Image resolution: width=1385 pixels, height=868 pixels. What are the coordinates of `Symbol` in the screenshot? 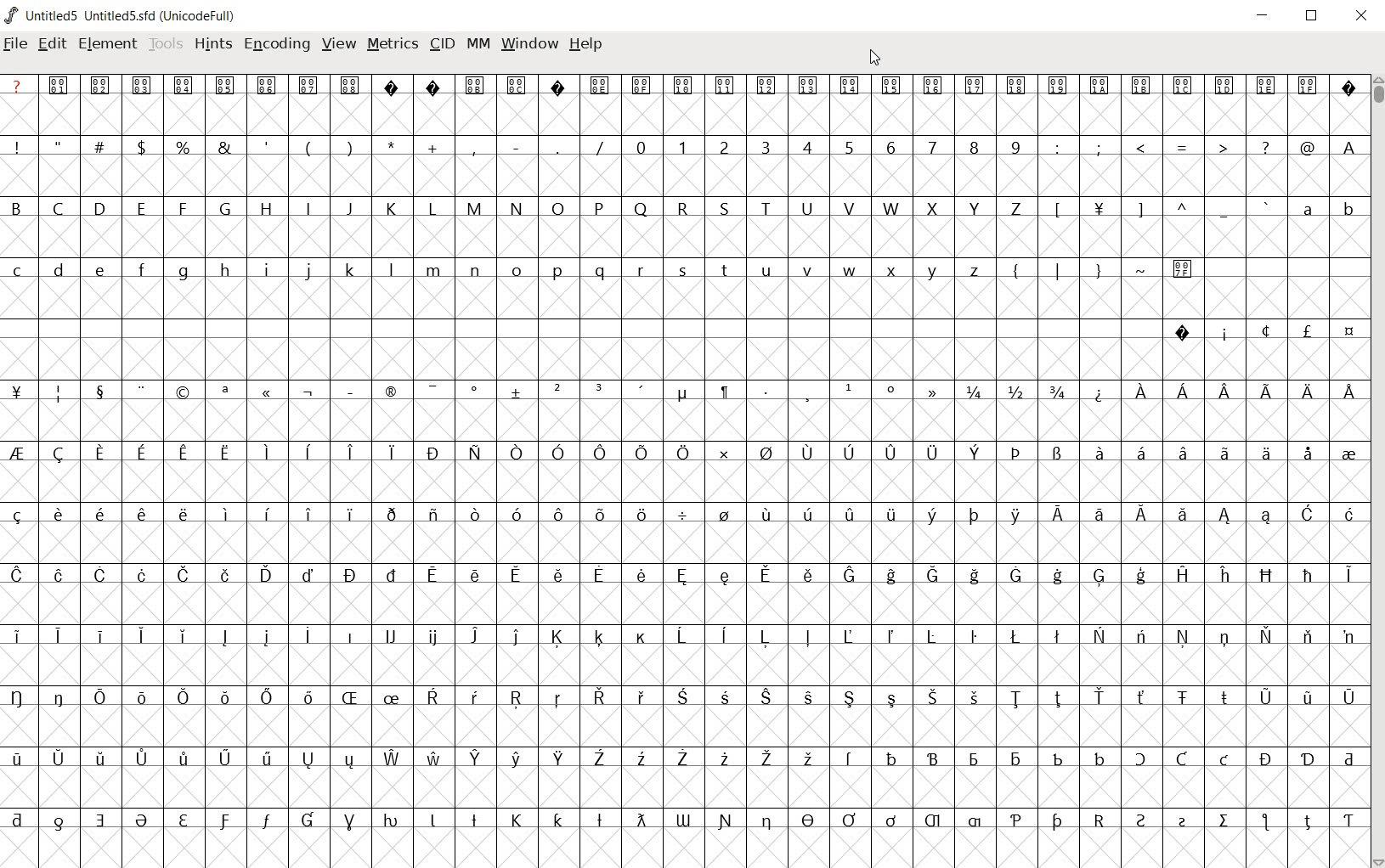 It's located at (59, 573).